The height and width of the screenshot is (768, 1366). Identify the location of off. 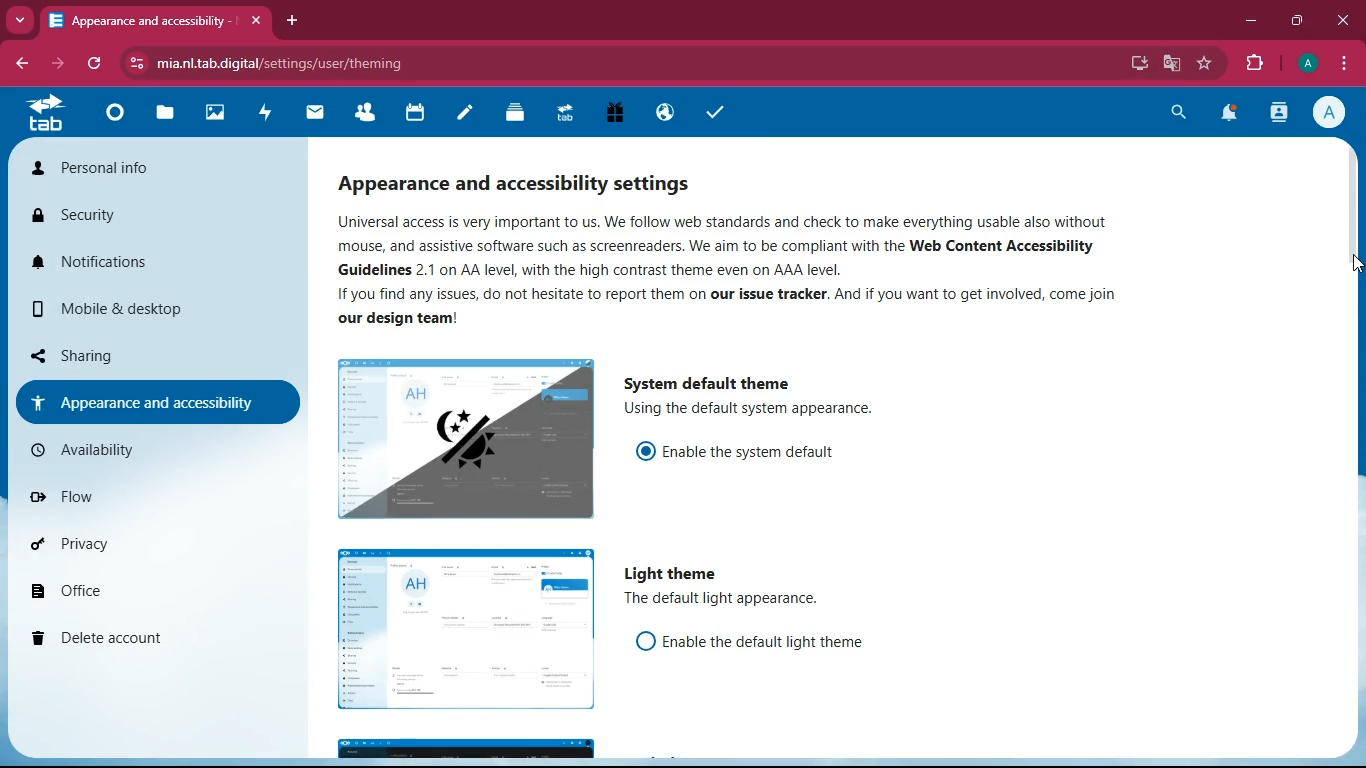
(640, 642).